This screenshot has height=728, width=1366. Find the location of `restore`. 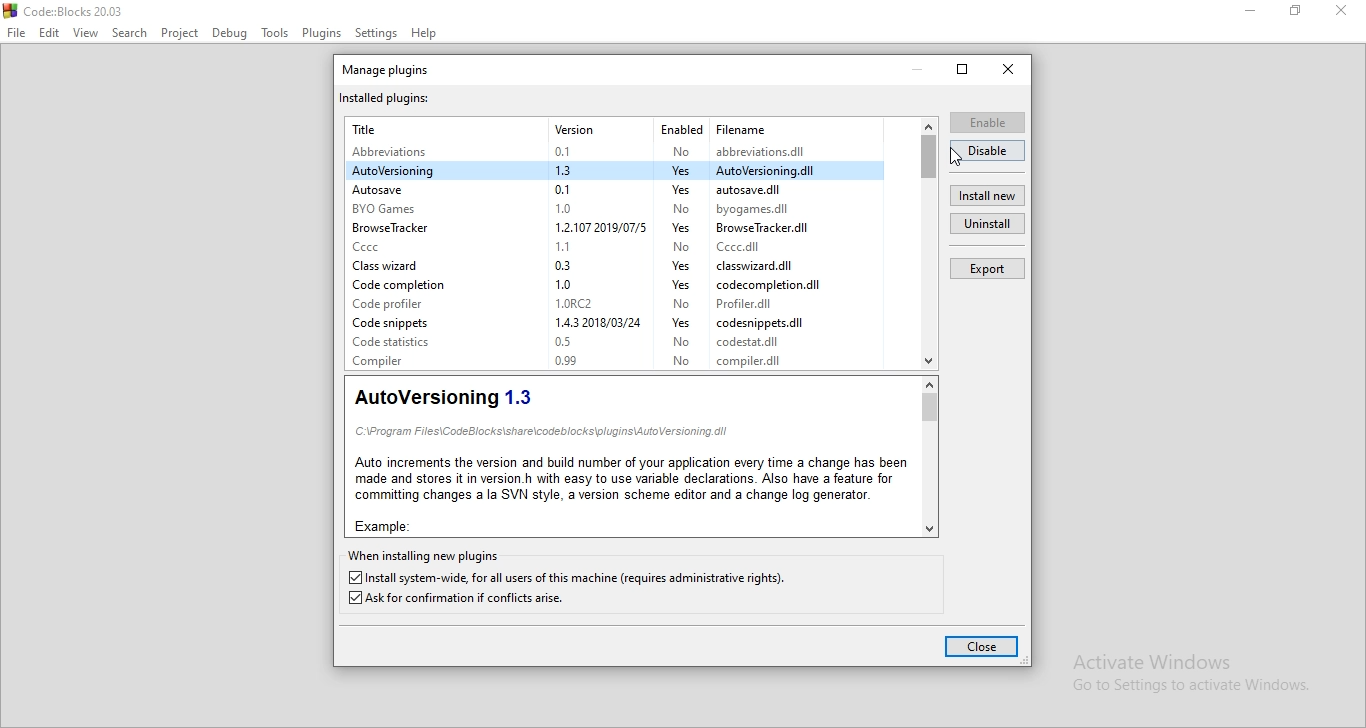

restore is located at coordinates (963, 69).